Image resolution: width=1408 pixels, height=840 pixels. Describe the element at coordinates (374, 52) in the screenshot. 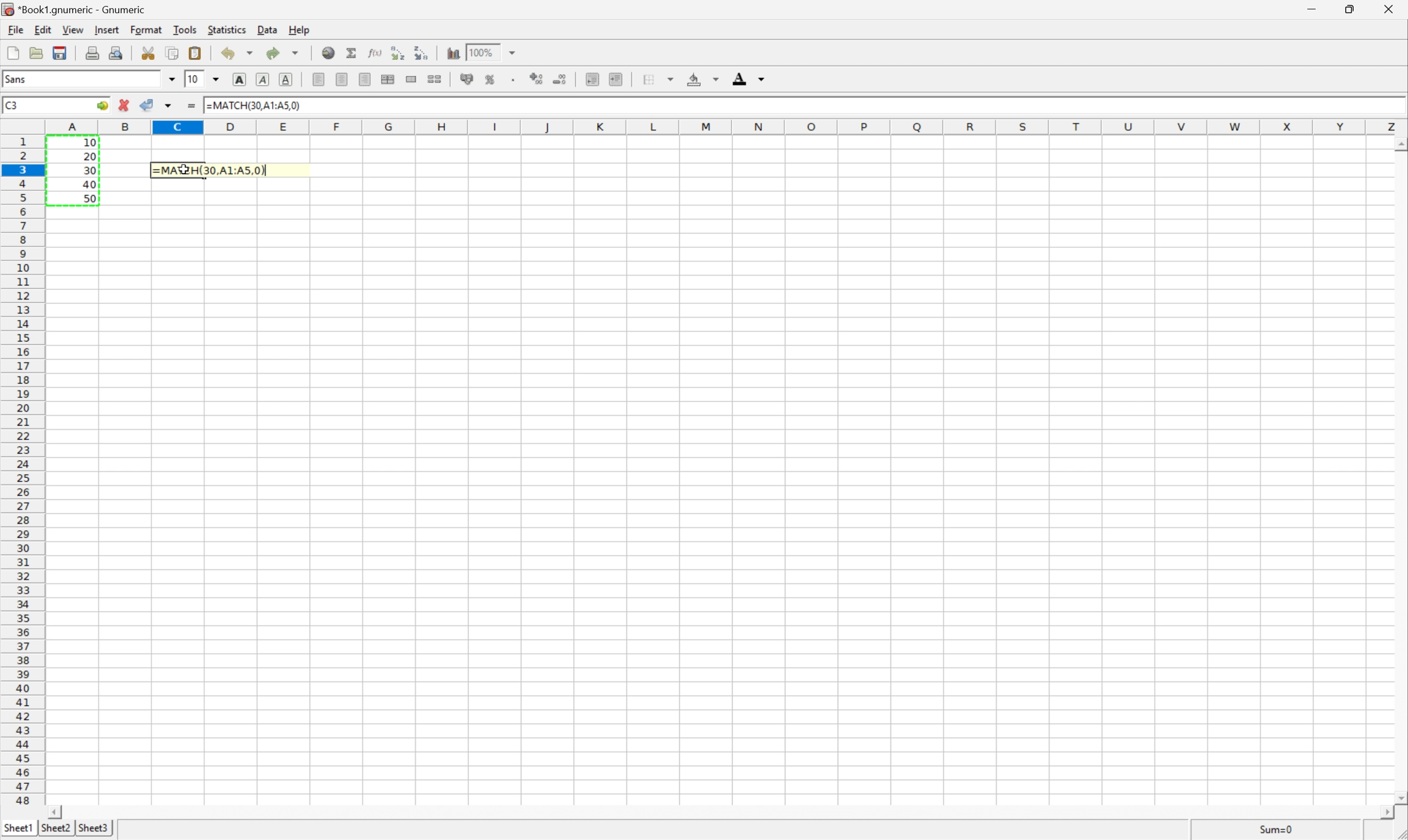

I see `Edit a function in current cell` at that location.